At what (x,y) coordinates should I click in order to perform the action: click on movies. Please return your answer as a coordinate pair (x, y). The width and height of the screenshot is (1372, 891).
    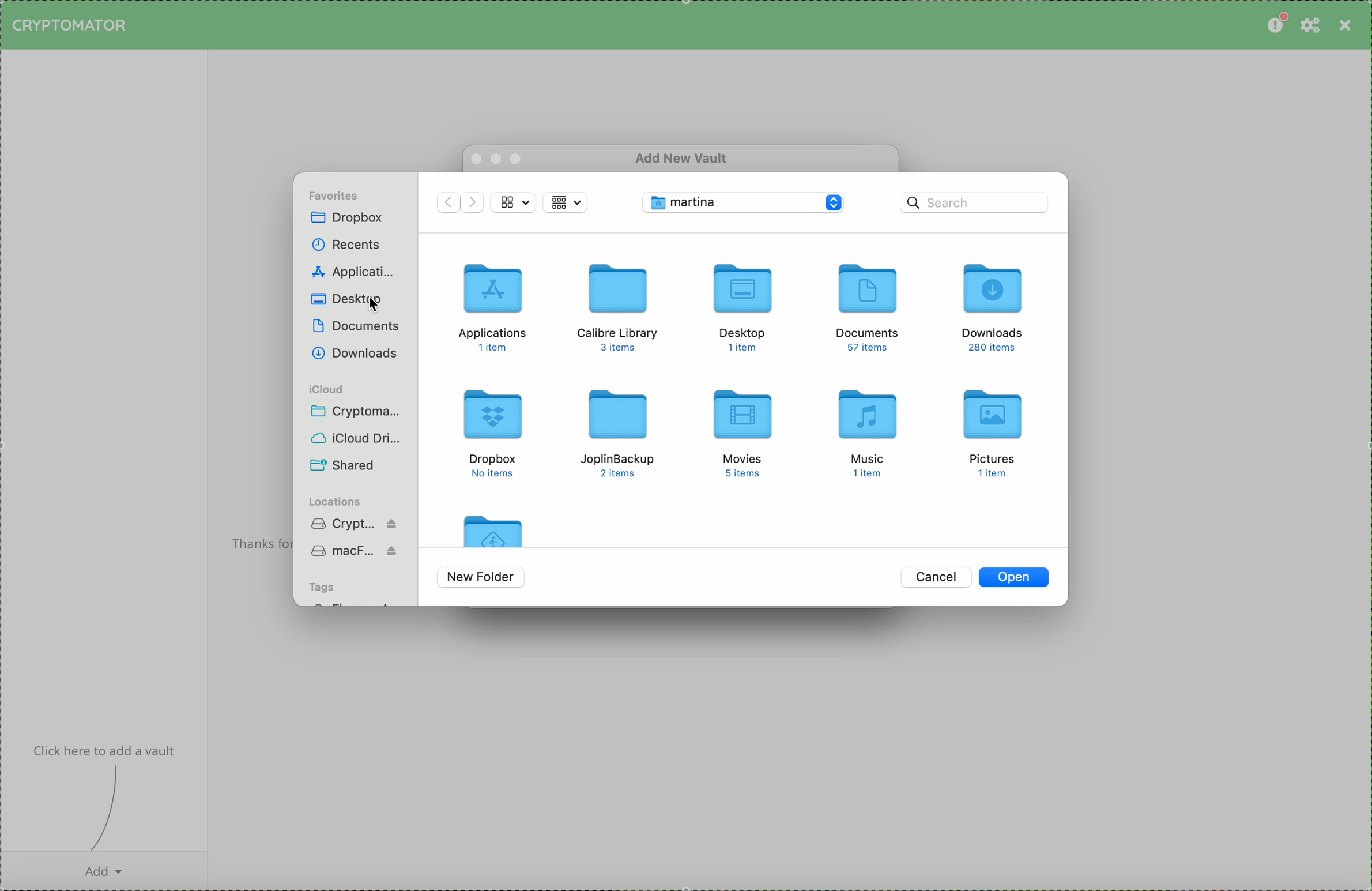
    Looking at the image, I should click on (739, 438).